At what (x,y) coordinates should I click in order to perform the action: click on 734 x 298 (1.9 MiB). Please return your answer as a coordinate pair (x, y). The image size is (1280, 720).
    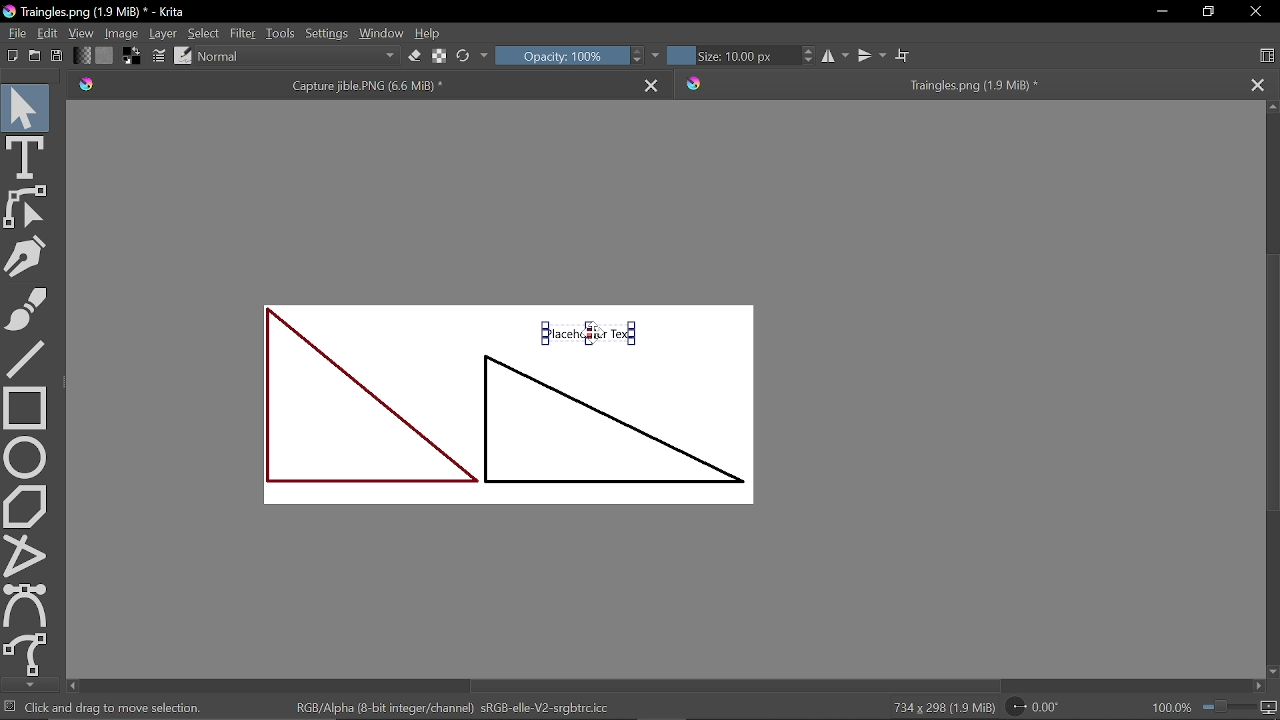
    Looking at the image, I should click on (942, 706).